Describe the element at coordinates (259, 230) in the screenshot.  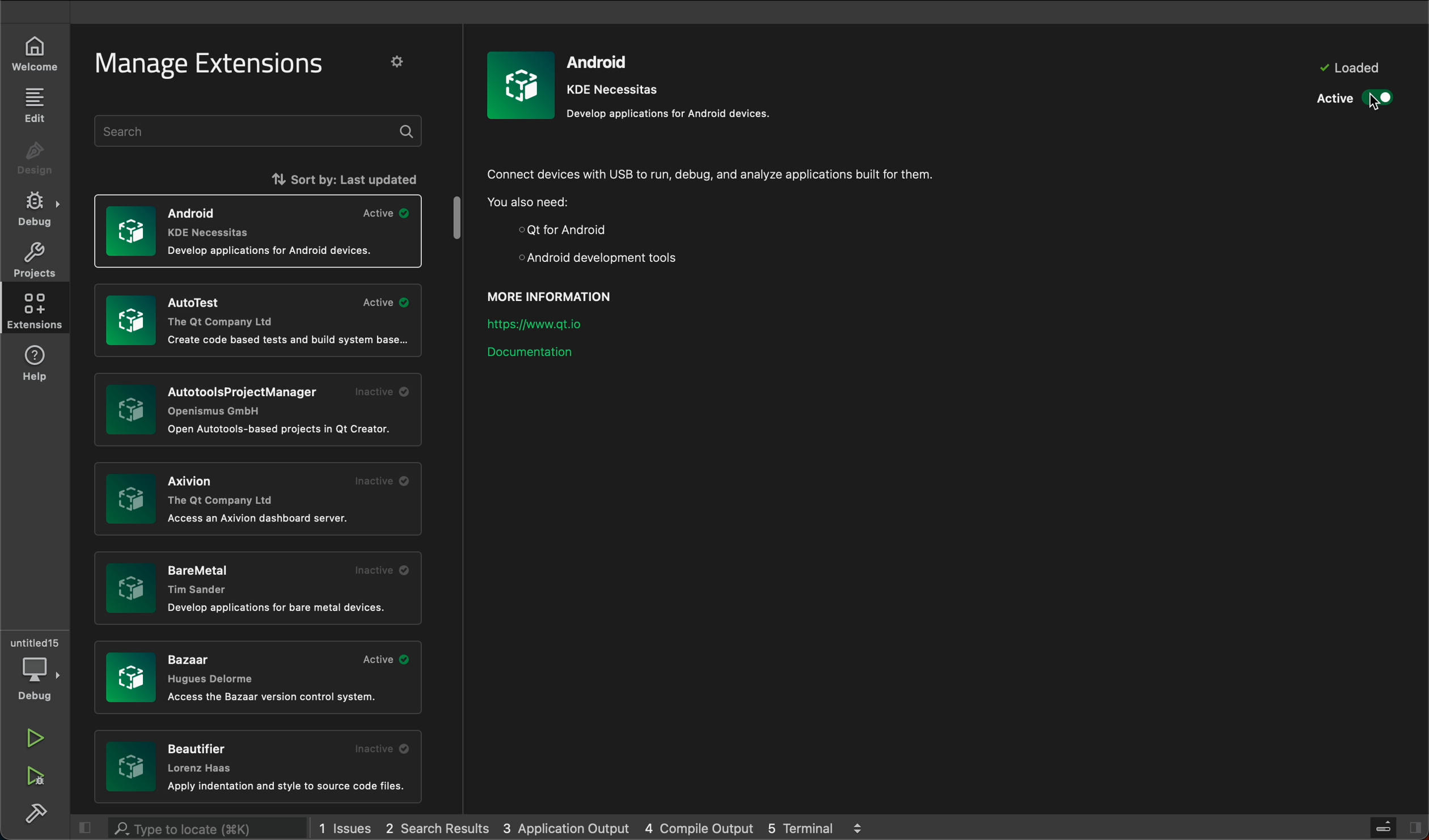
I see `extensions list` at that location.